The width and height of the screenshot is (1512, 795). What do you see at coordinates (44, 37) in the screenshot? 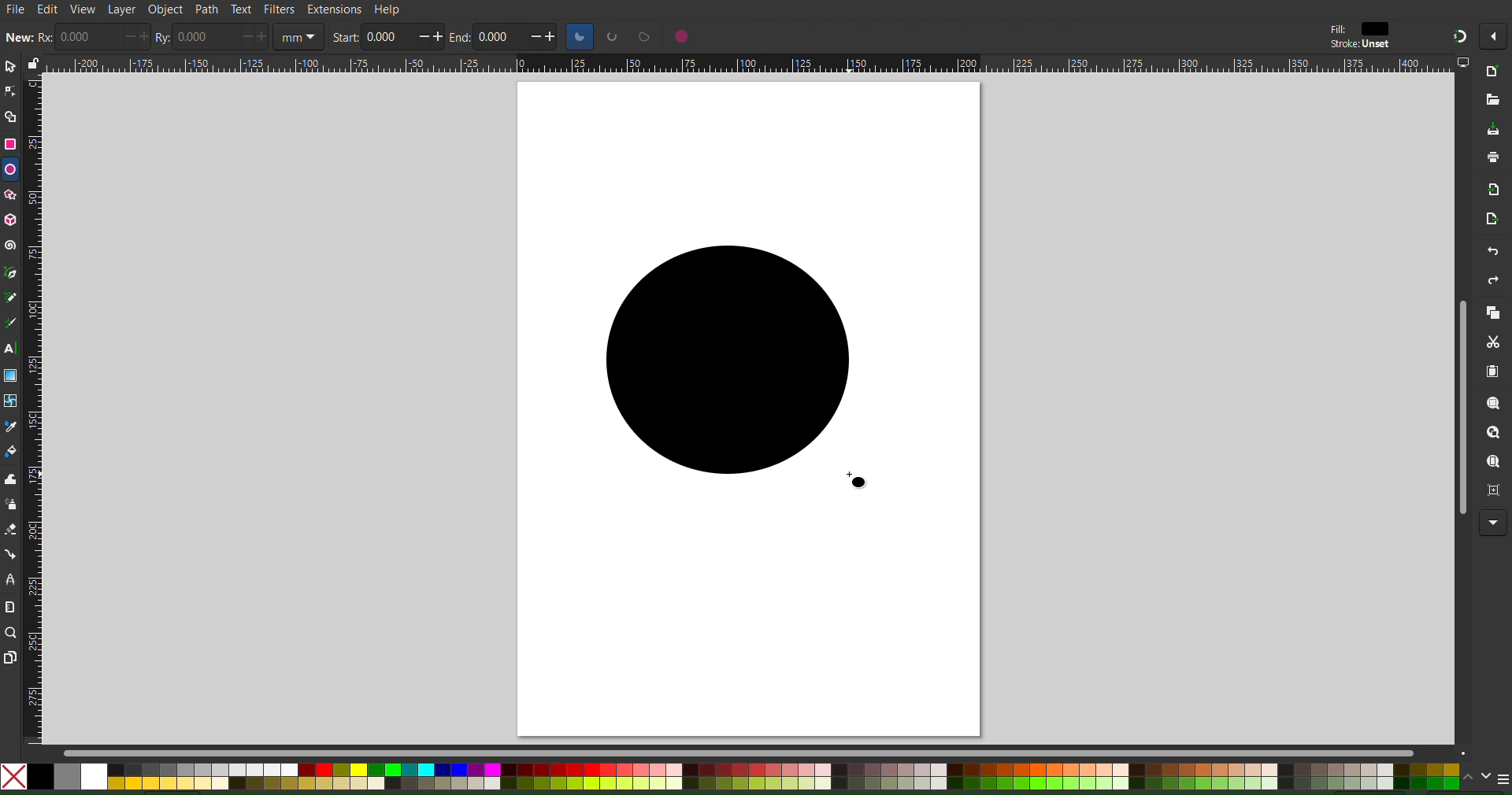
I see `rx` at bounding box center [44, 37].